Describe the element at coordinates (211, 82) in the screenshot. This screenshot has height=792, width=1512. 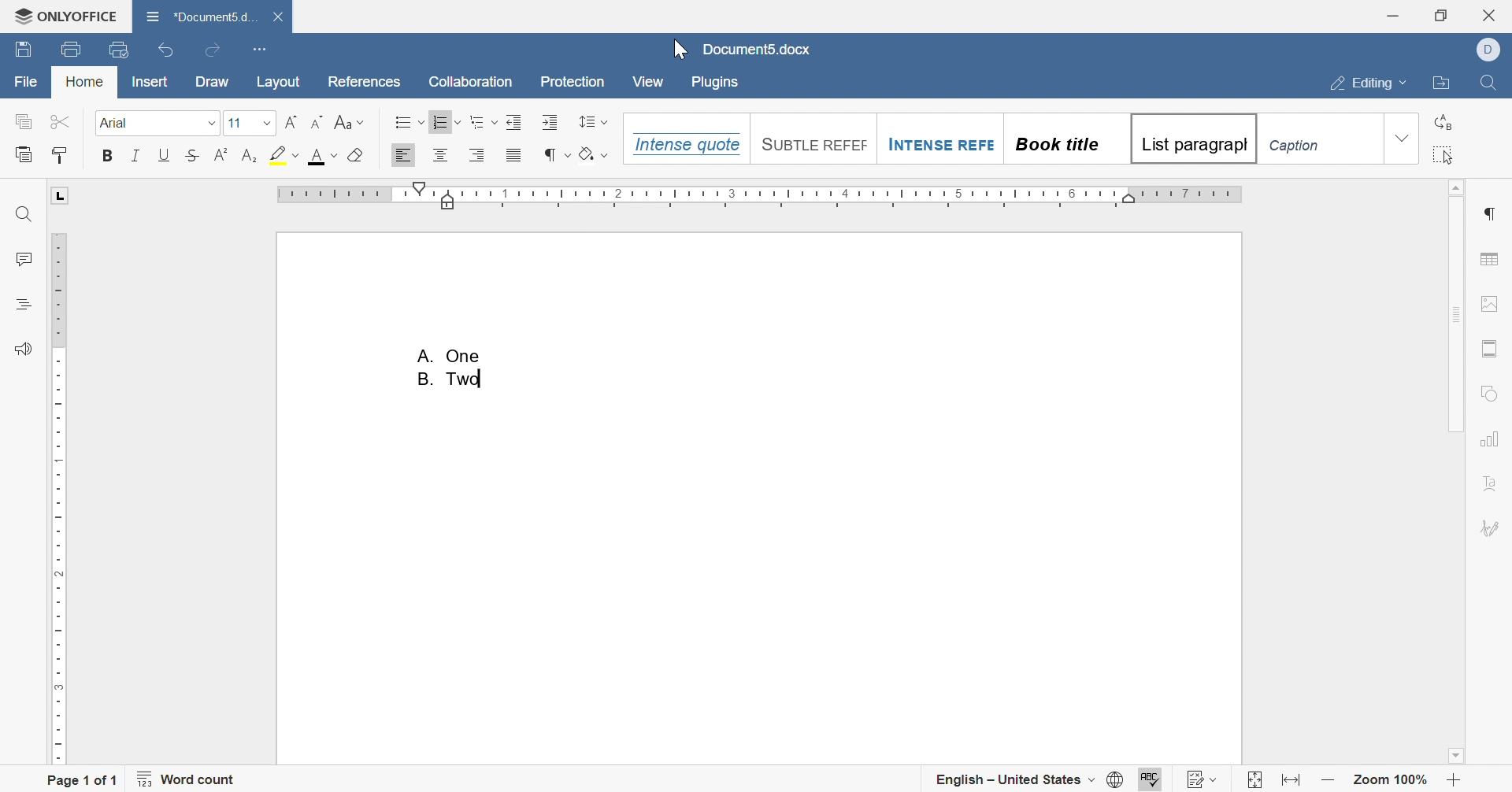
I see `draw` at that location.